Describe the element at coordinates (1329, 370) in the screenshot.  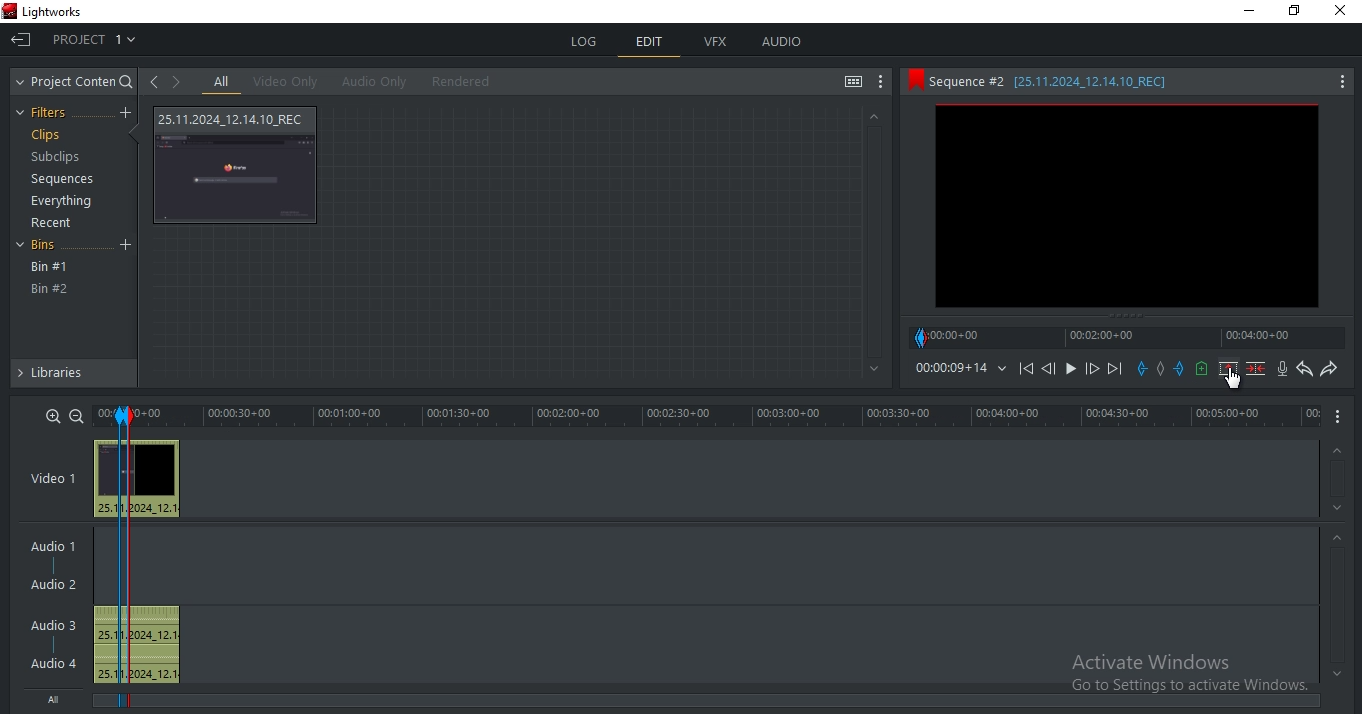
I see `redo` at that location.